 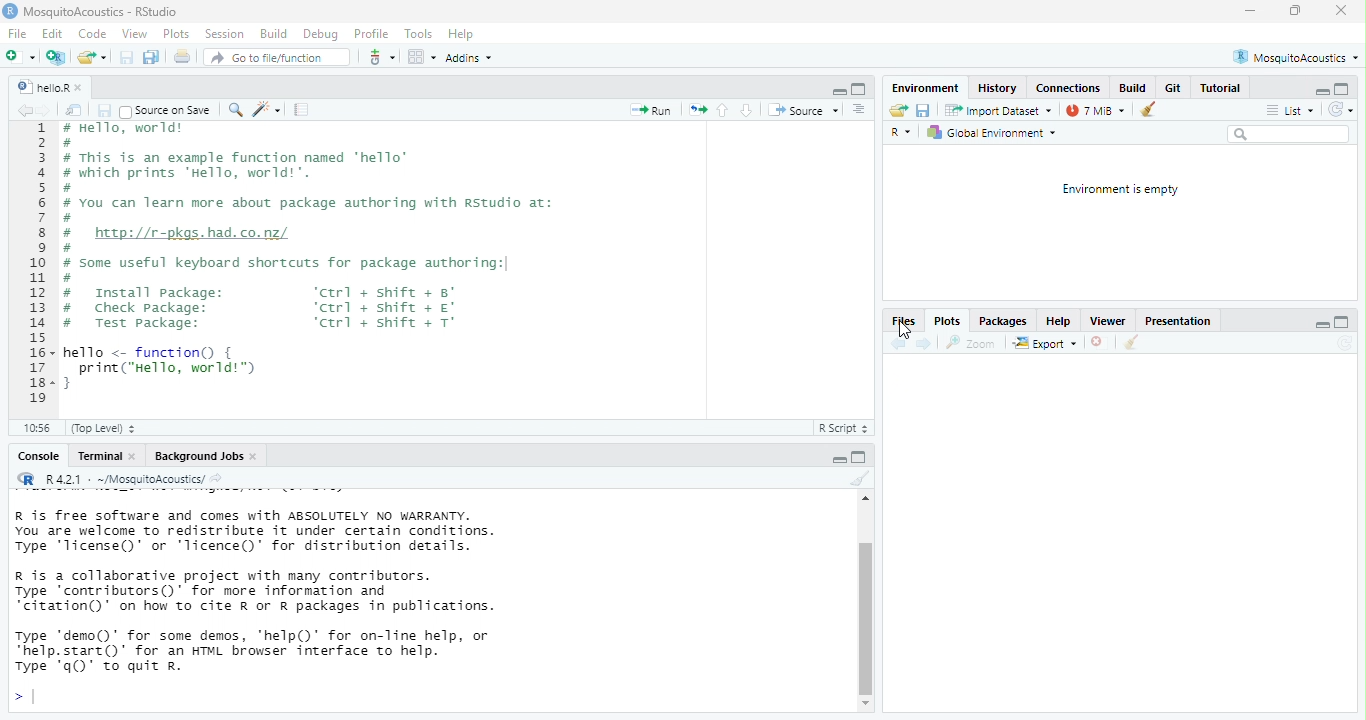 What do you see at coordinates (1098, 110) in the screenshot?
I see `7 mb` at bounding box center [1098, 110].